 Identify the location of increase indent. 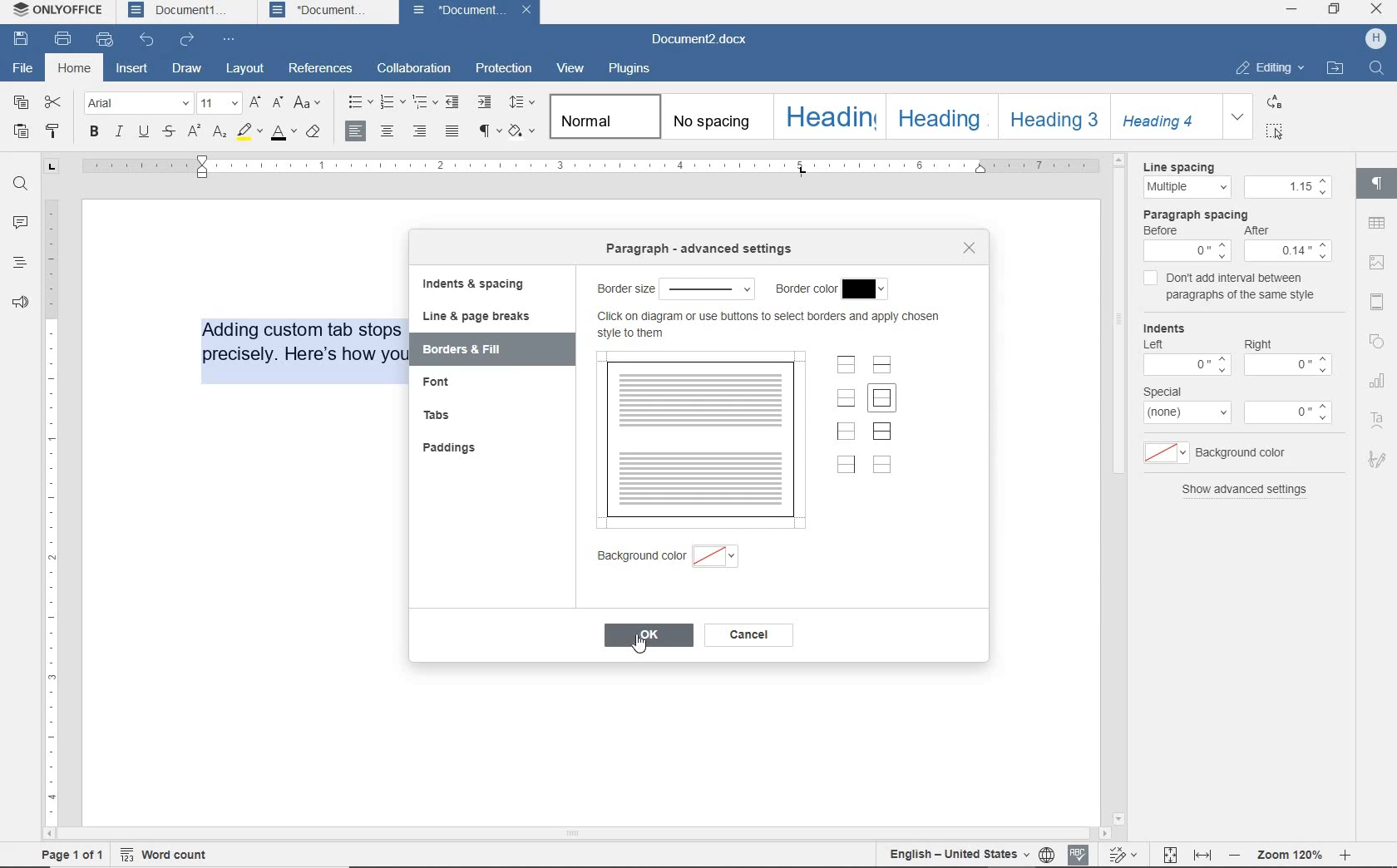
(486, 103).